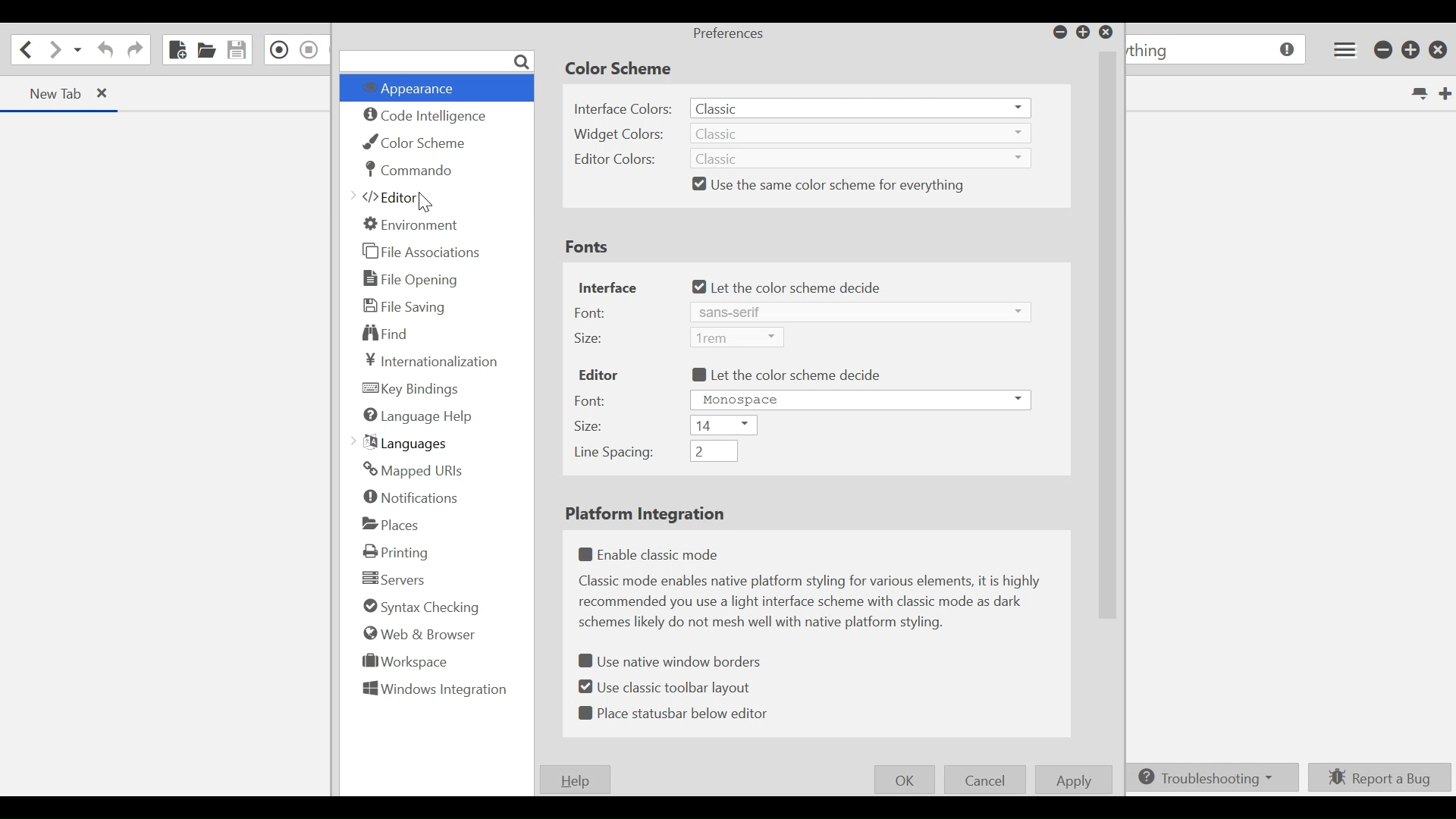 The height and width of the screenshot is (819, 1456). I want to click on go to anything, so click(1218, 50).